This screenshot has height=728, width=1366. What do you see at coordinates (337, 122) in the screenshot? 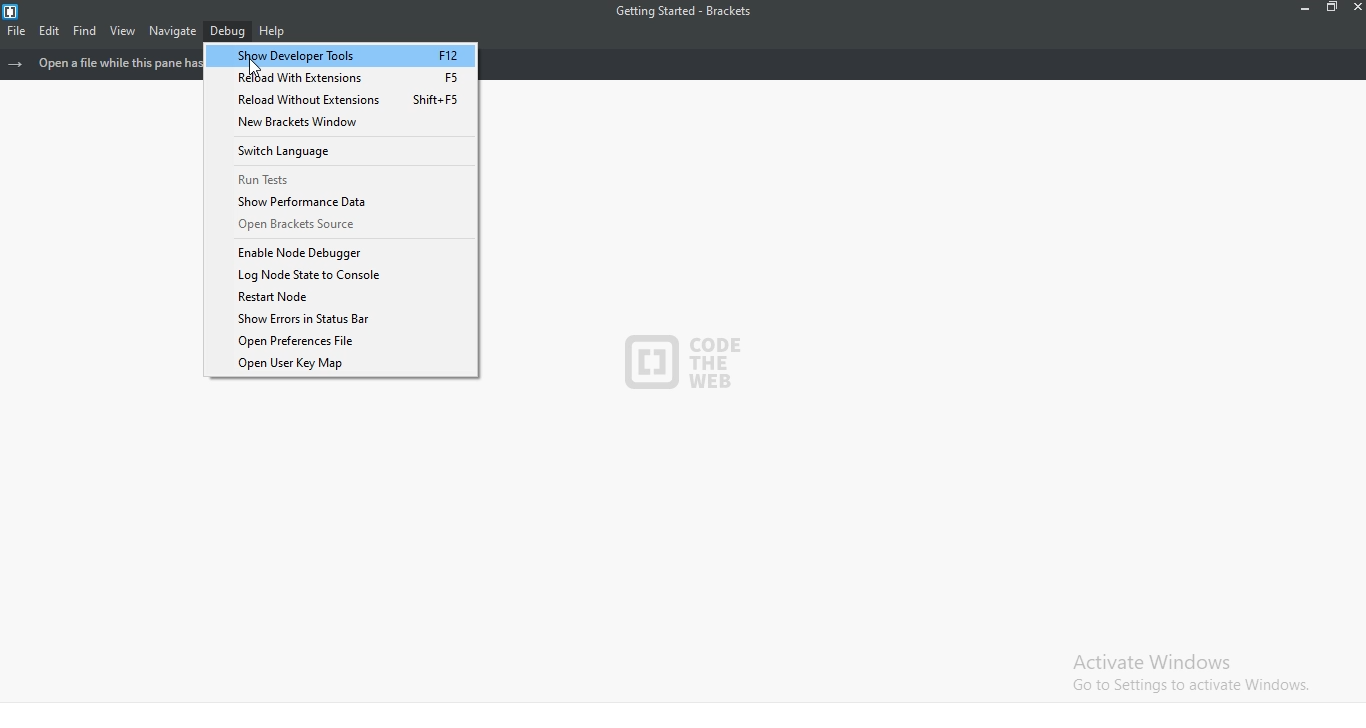
I see `New Brackets Window` at bounding box center [337, 122].